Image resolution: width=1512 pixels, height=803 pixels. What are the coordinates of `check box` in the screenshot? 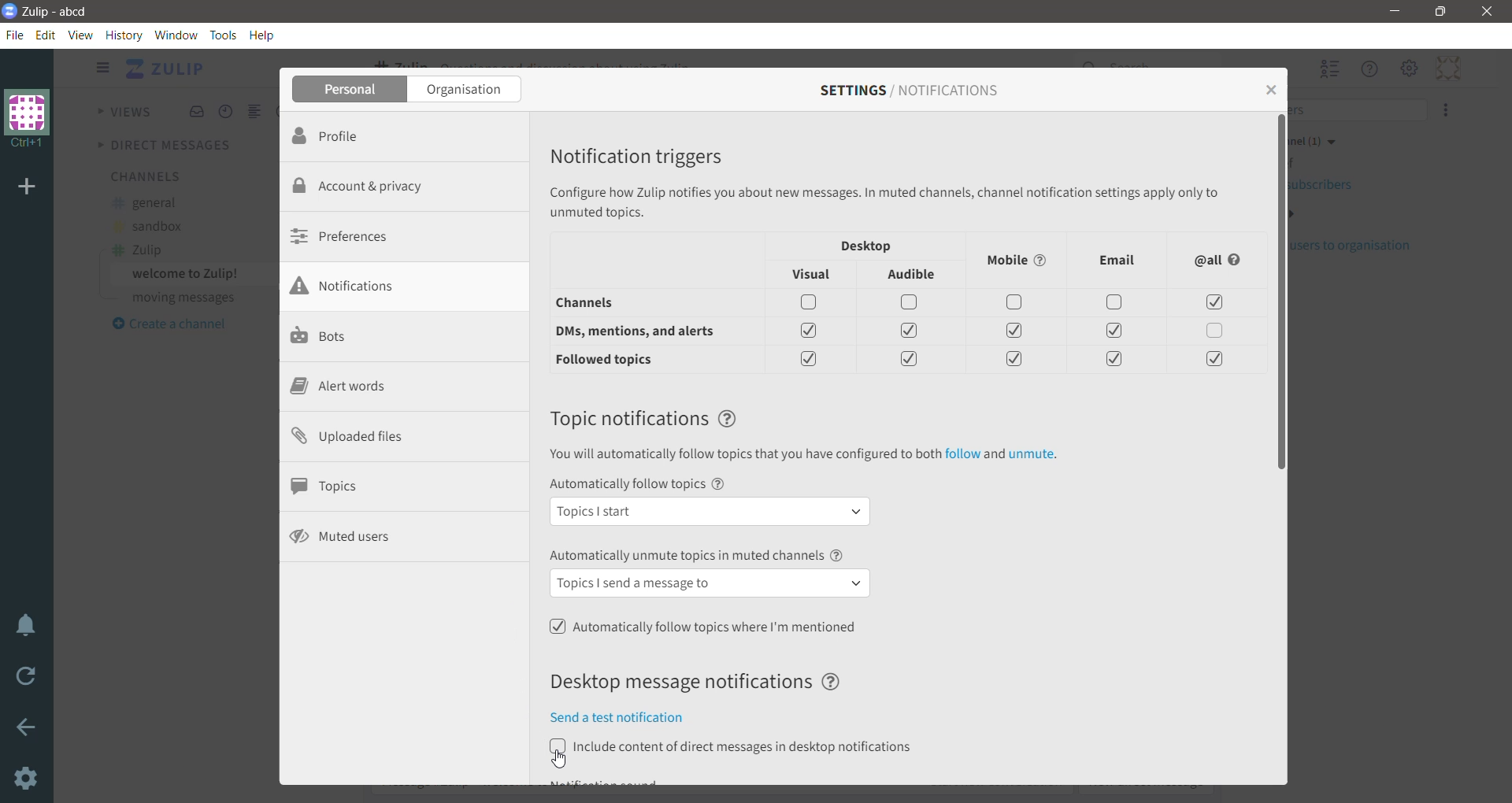 It's located at (1011, 361).